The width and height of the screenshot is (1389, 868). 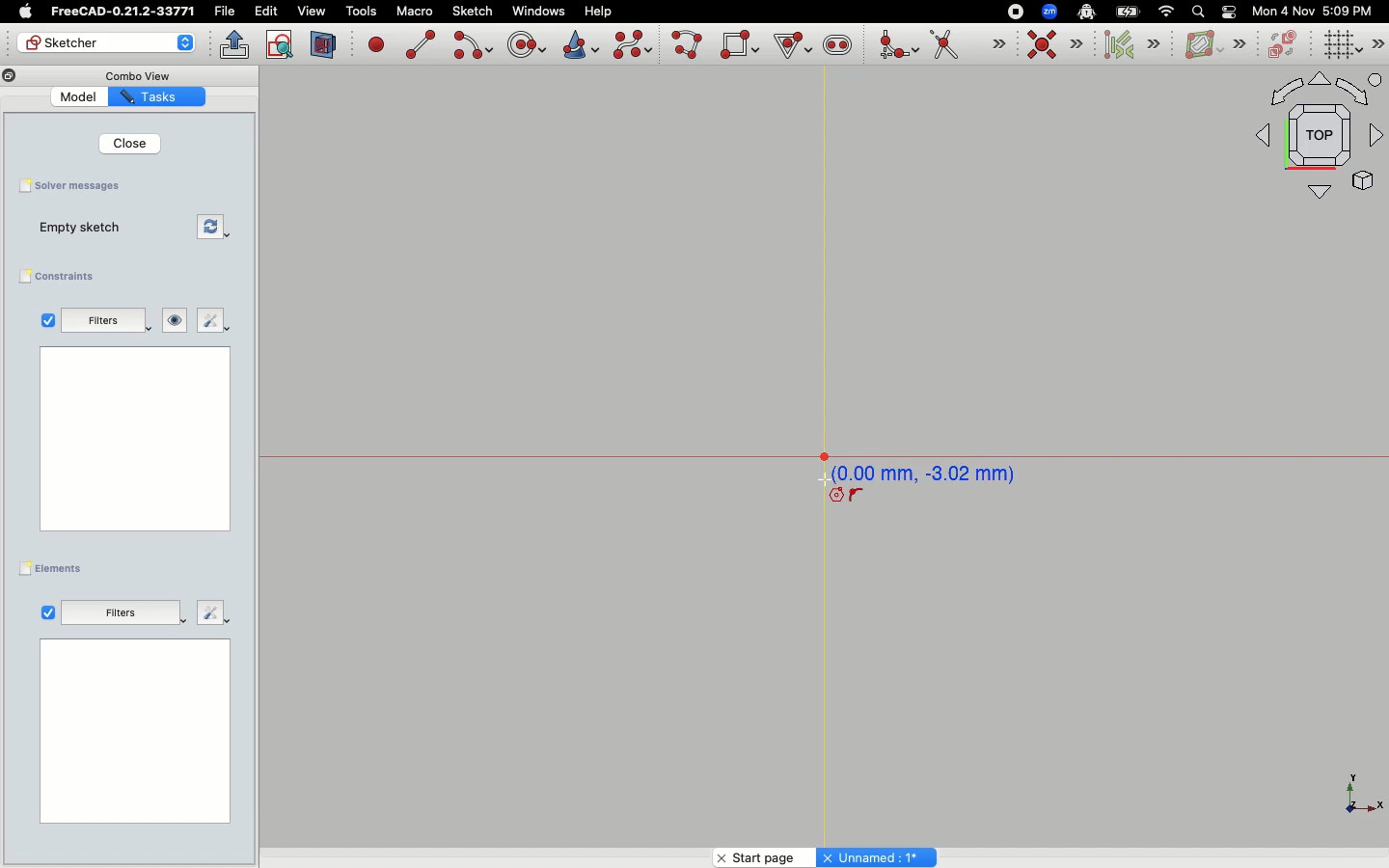 I want to click on Edit, so click(x=266, y=12).